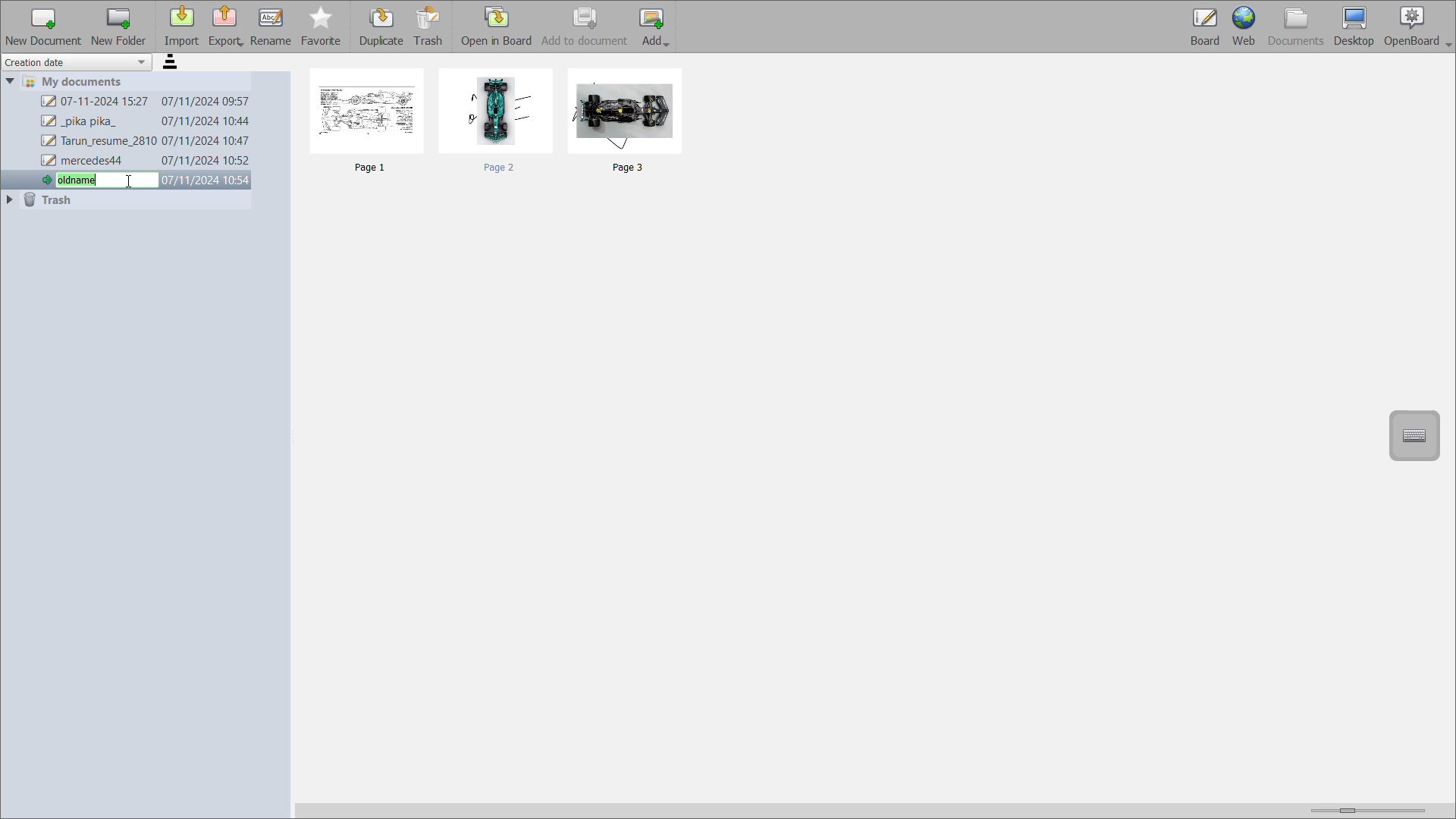 The image size is (1456, 819). I want to click on board, so click(1202, 27).